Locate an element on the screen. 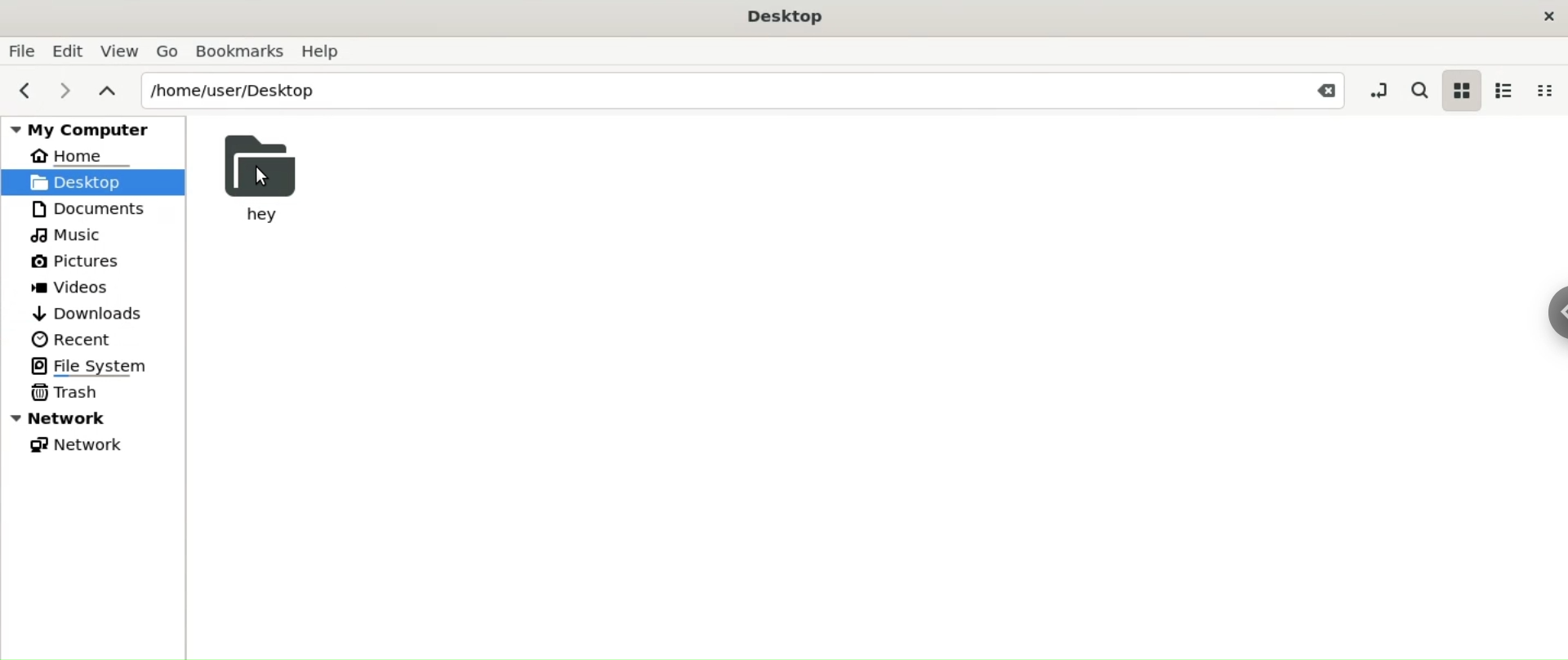  toggle location entry is located at coordinates (1378, 90).